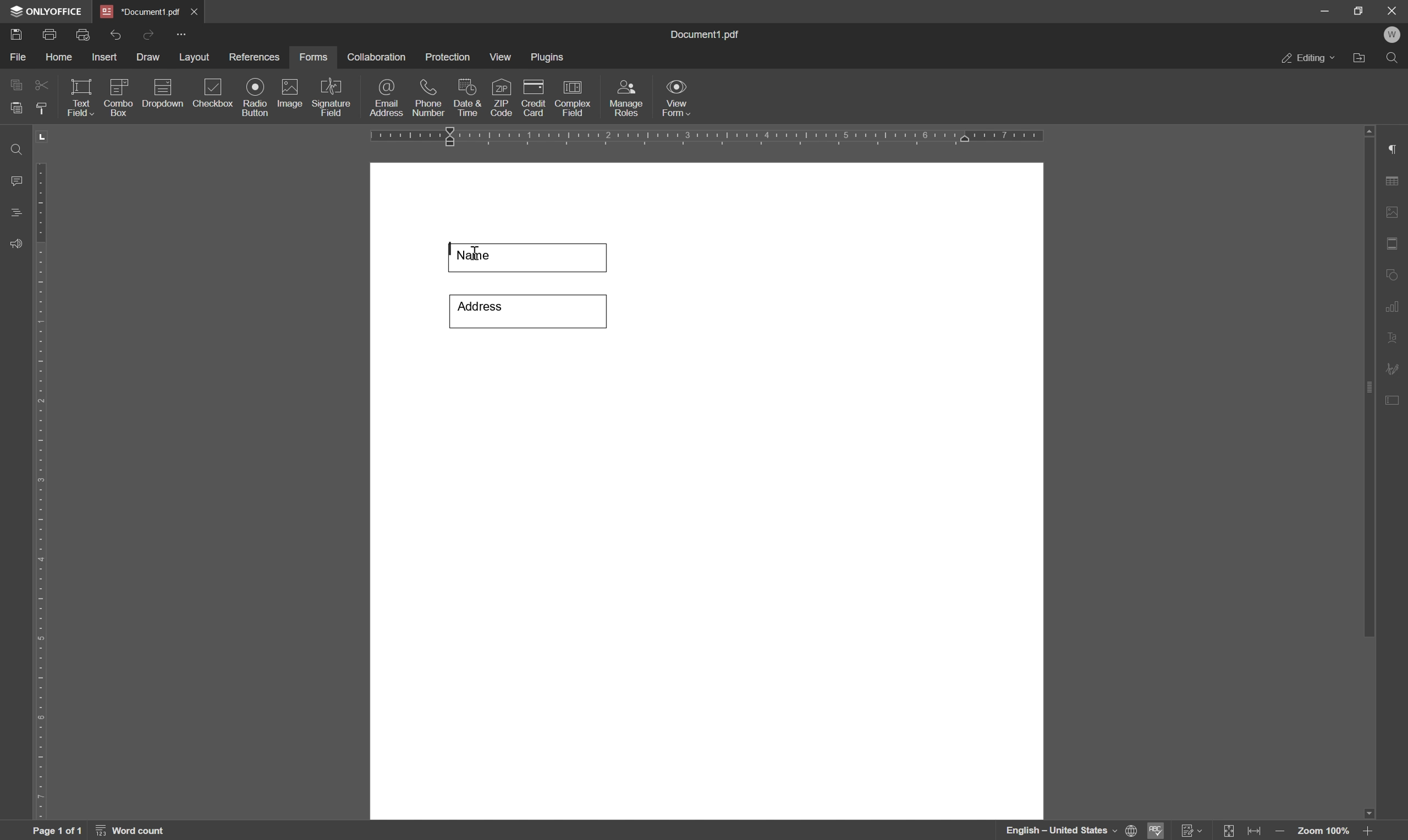 This screenshot has width=1408, height=840. What do you see at coordinates (17, 109) in the screenshot?
I see `paste` at bounding box center [17, 109].